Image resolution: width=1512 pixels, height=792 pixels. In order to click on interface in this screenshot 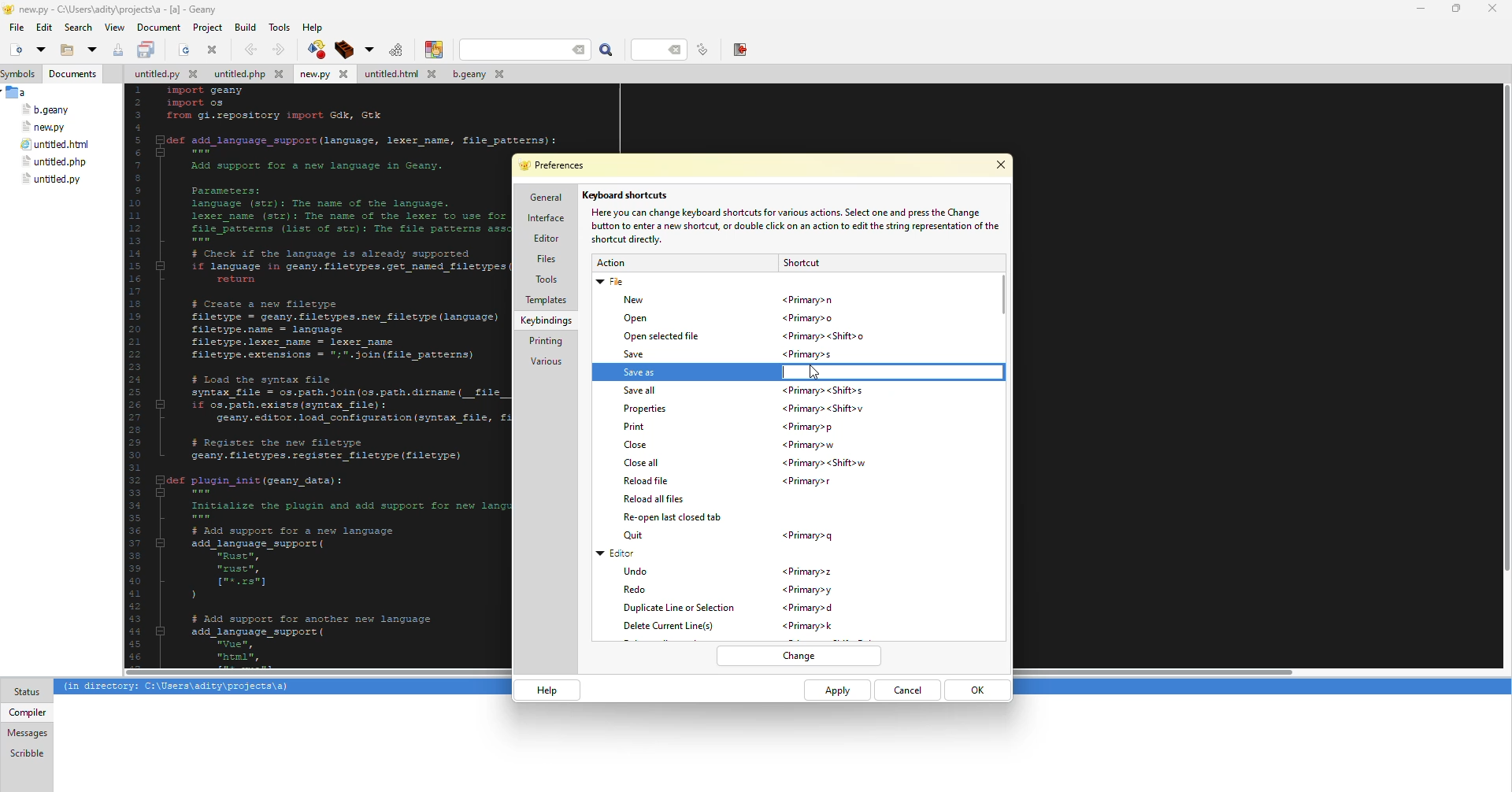, I will do `click(546, 218)`.